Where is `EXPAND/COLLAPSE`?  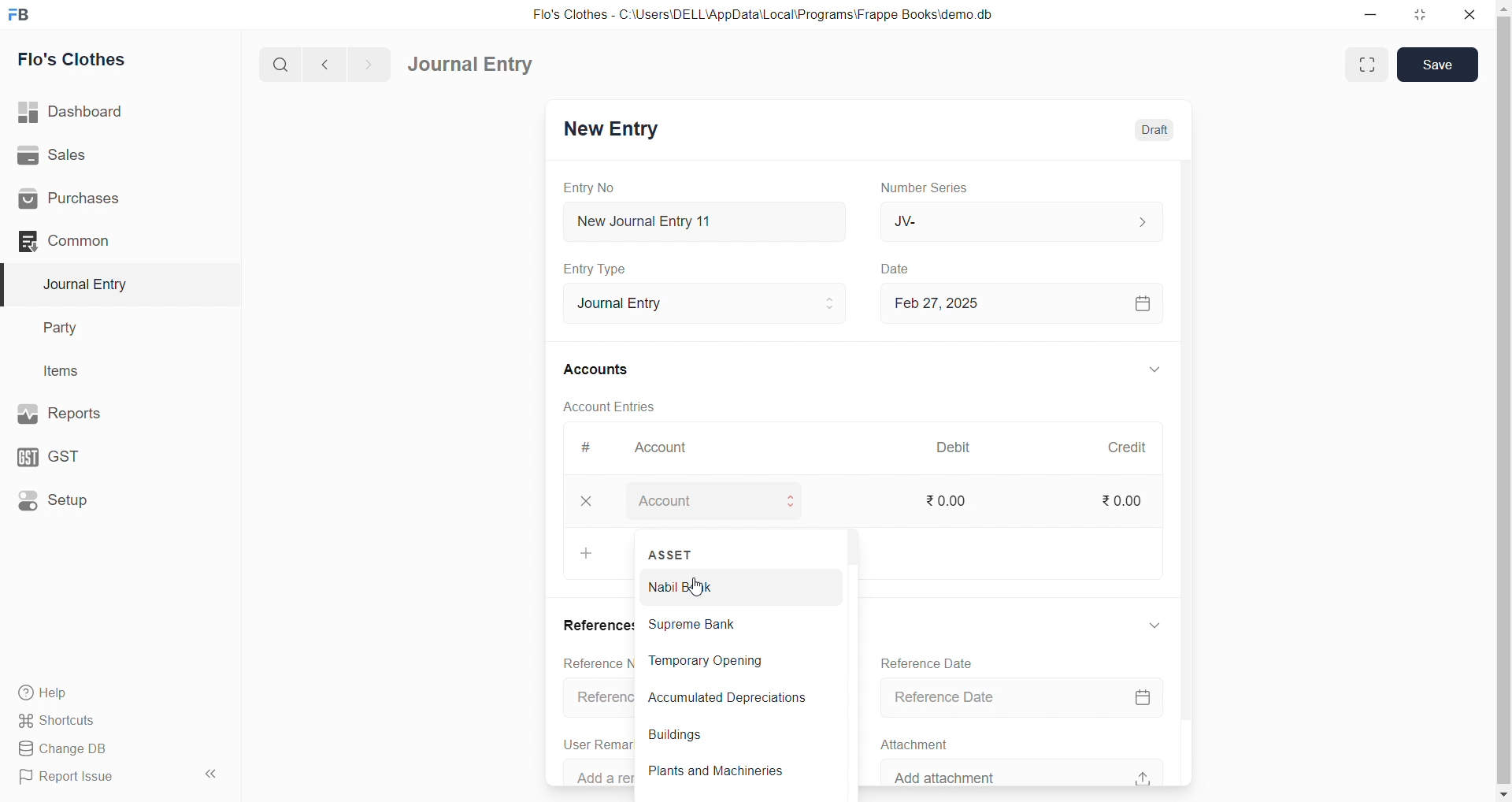
EXPAND/COLLAPSE is located at coordinates (1162, 369).